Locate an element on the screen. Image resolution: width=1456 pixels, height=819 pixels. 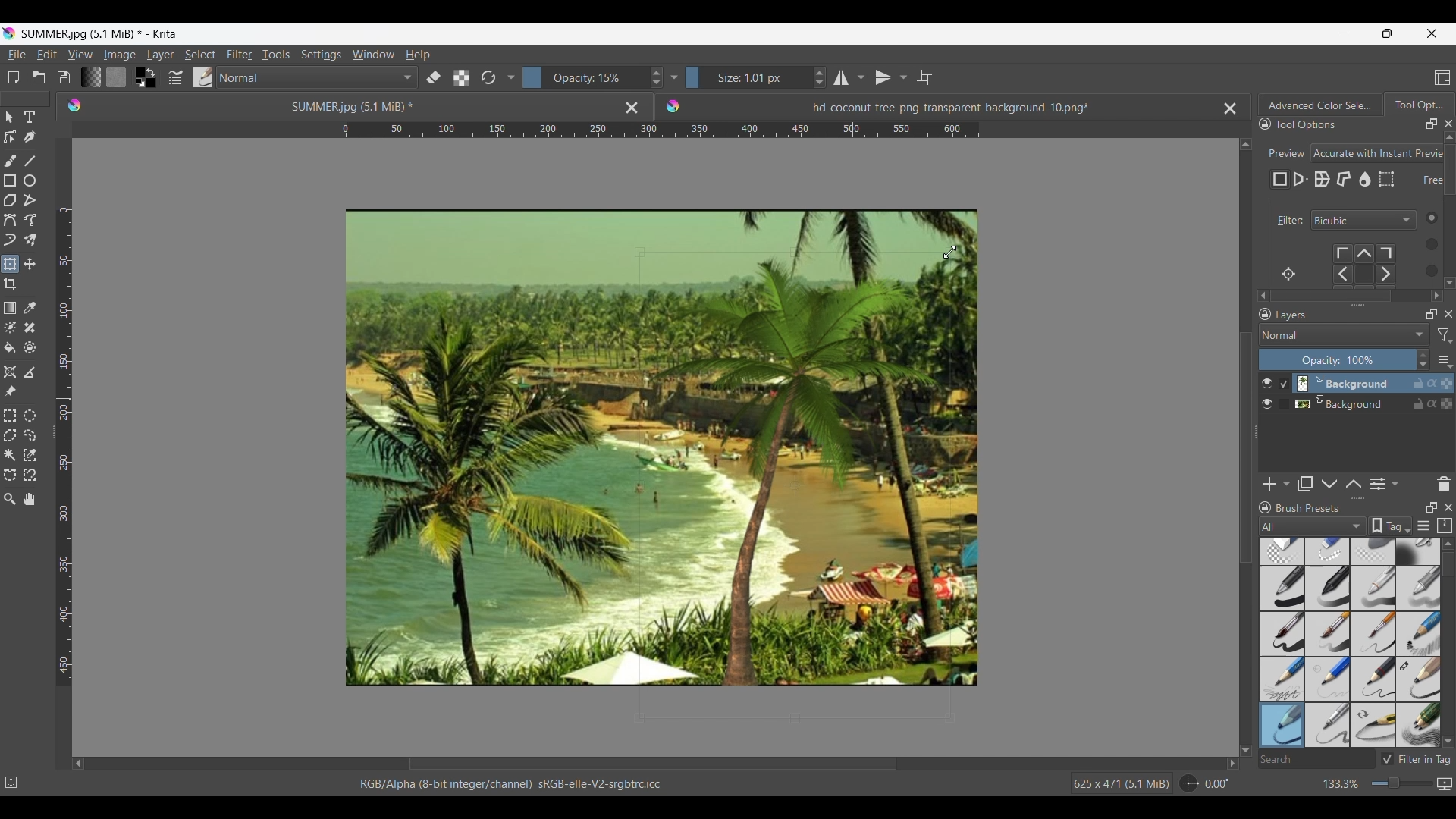
Slideshow is located at coordinates (1444, 781).